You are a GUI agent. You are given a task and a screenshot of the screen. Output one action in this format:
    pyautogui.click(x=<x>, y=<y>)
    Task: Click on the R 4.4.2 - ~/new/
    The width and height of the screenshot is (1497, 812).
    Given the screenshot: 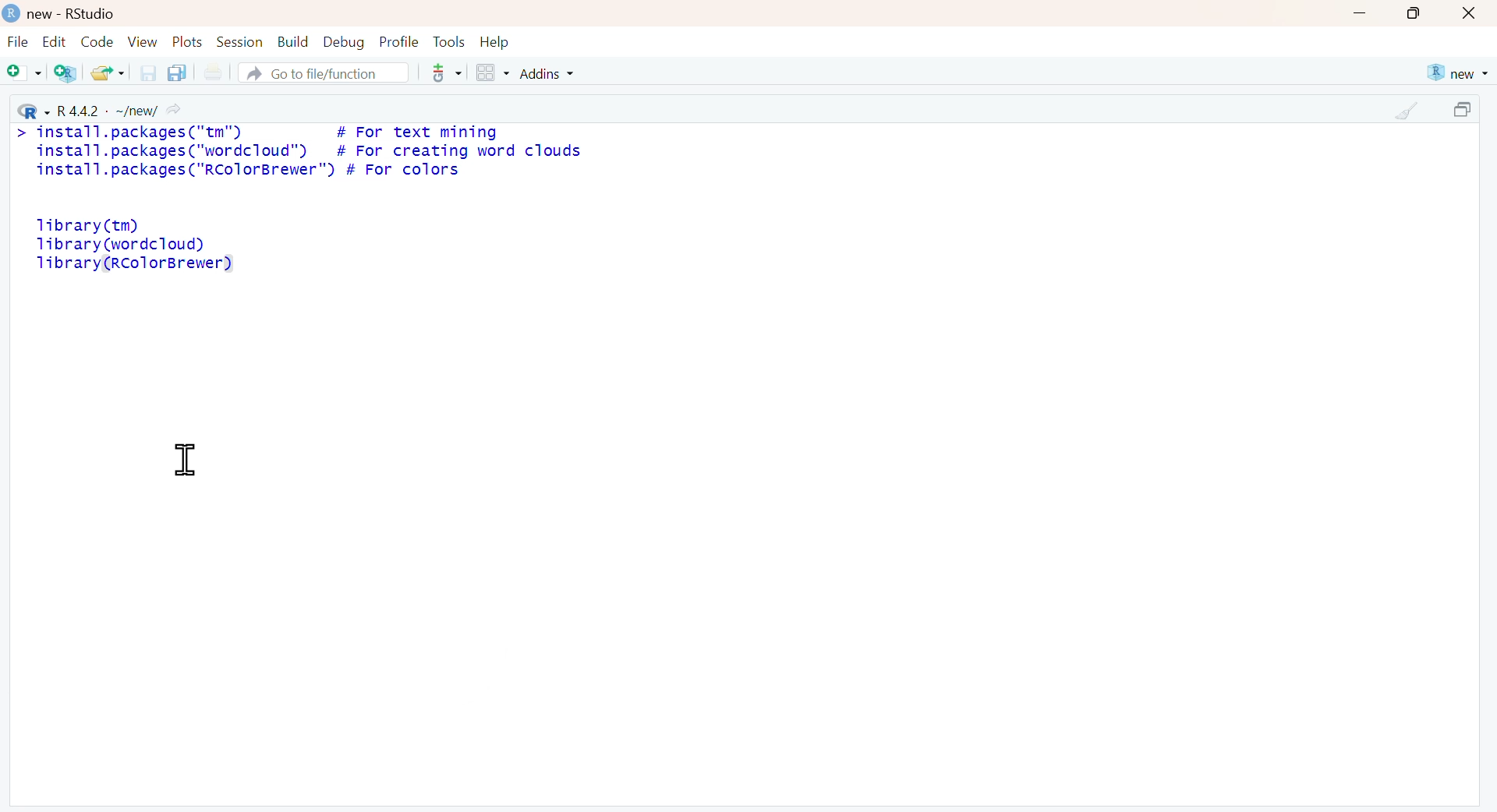 What is the action you would take?
    pyautogui.click(x=97, y=108)
    